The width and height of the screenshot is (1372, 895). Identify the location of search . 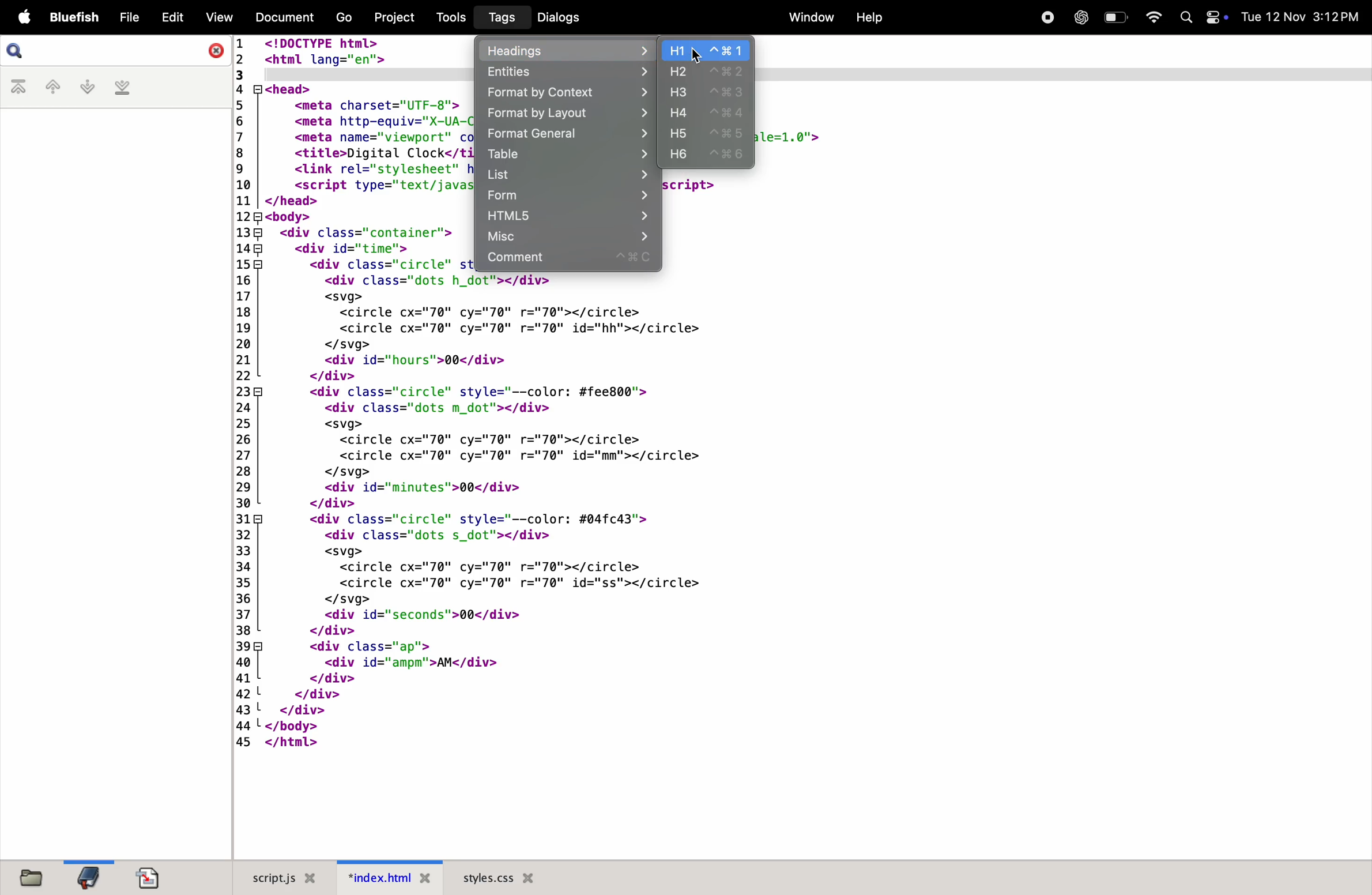
(118, 51).